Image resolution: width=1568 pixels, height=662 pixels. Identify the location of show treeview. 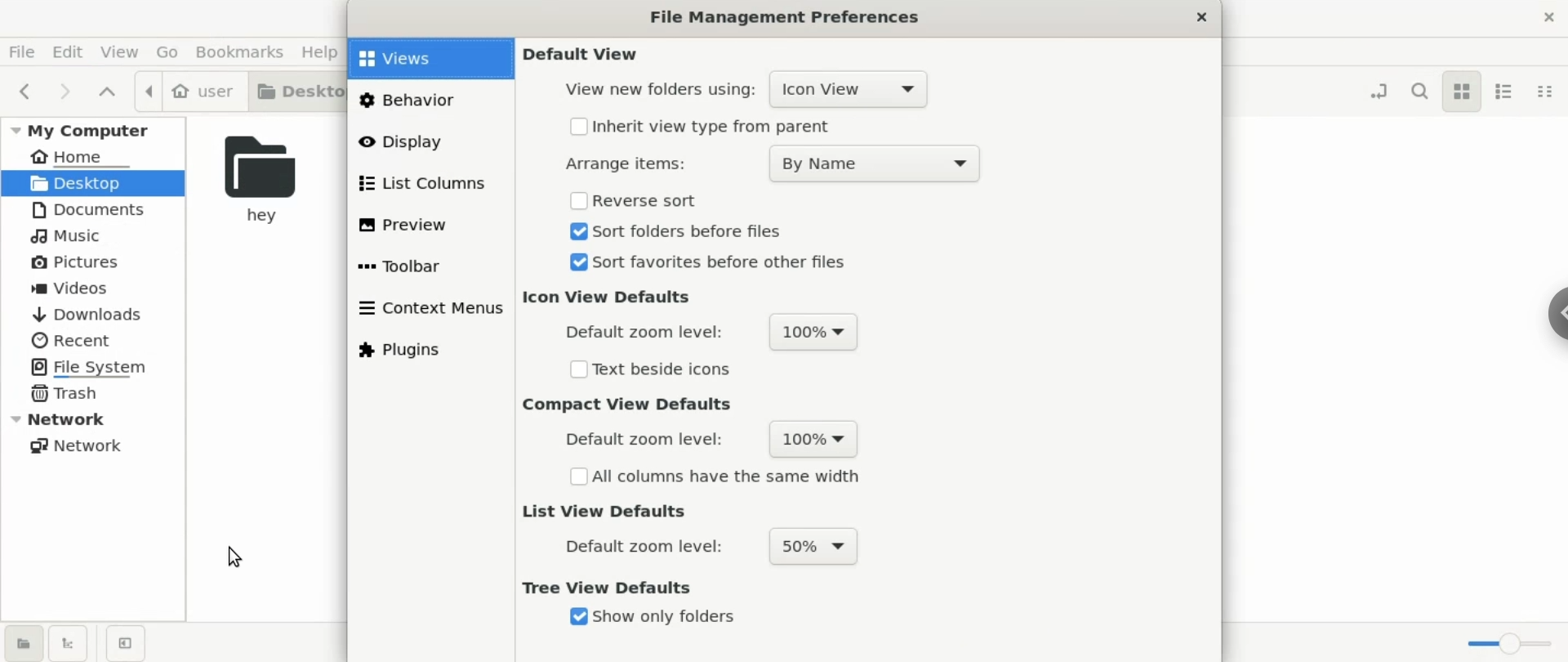
(71, 644).